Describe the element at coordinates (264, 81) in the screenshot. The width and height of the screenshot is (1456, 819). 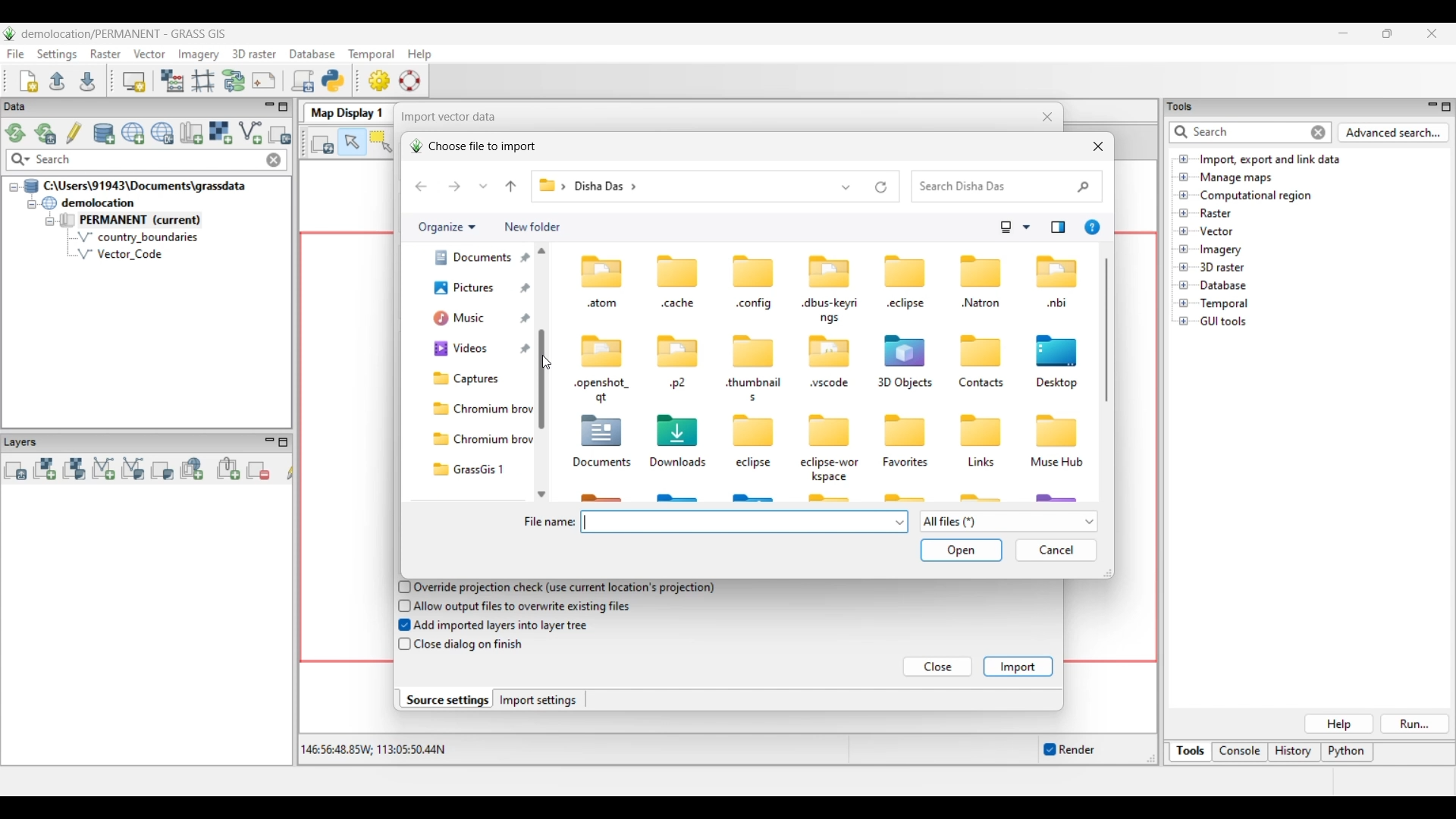
I see `Cartographic composer` at that location.